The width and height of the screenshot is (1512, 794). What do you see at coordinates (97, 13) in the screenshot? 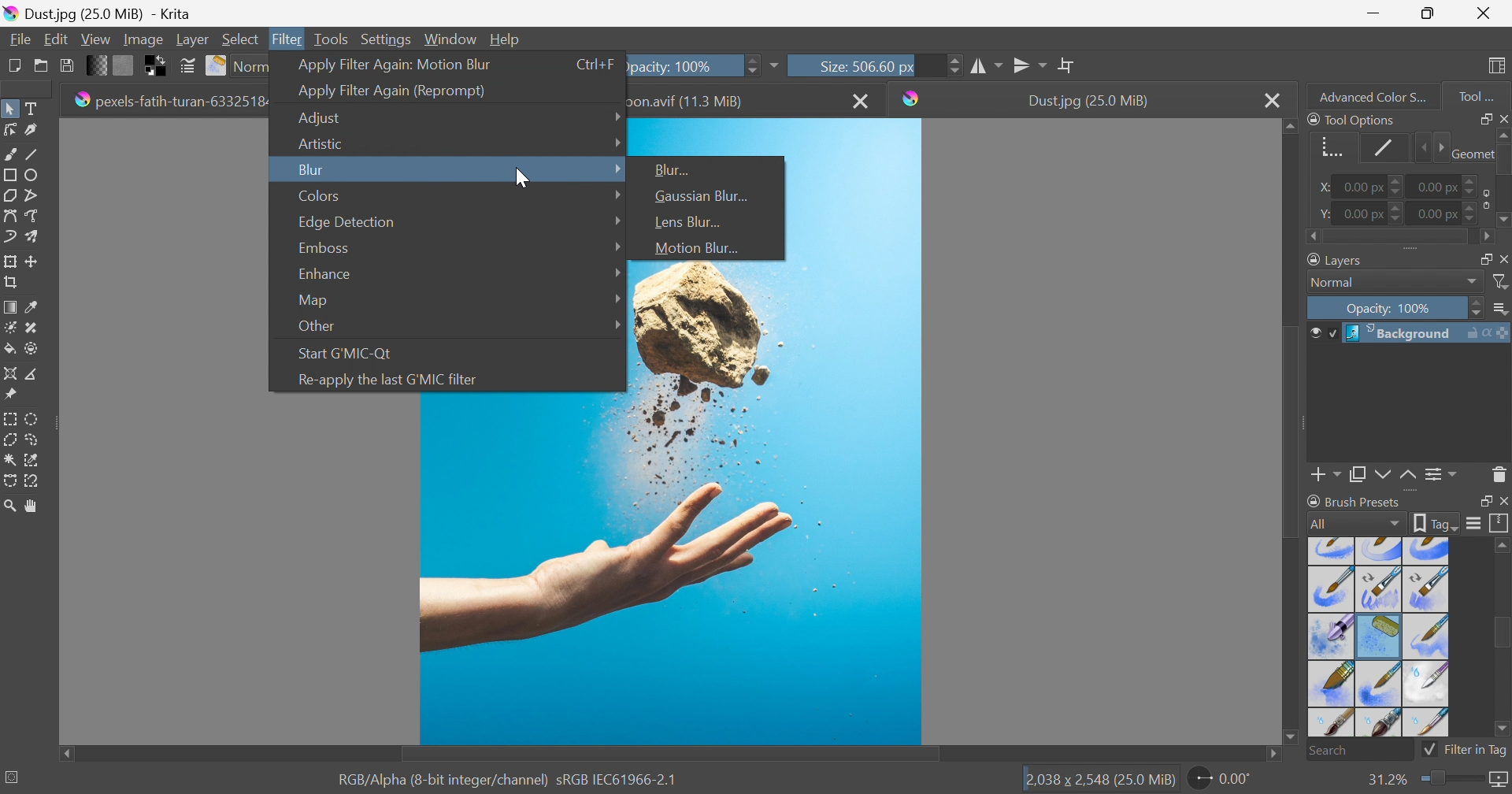
I see `Dust.jpg (25.0 MB)` at bounding box center [97, 13].